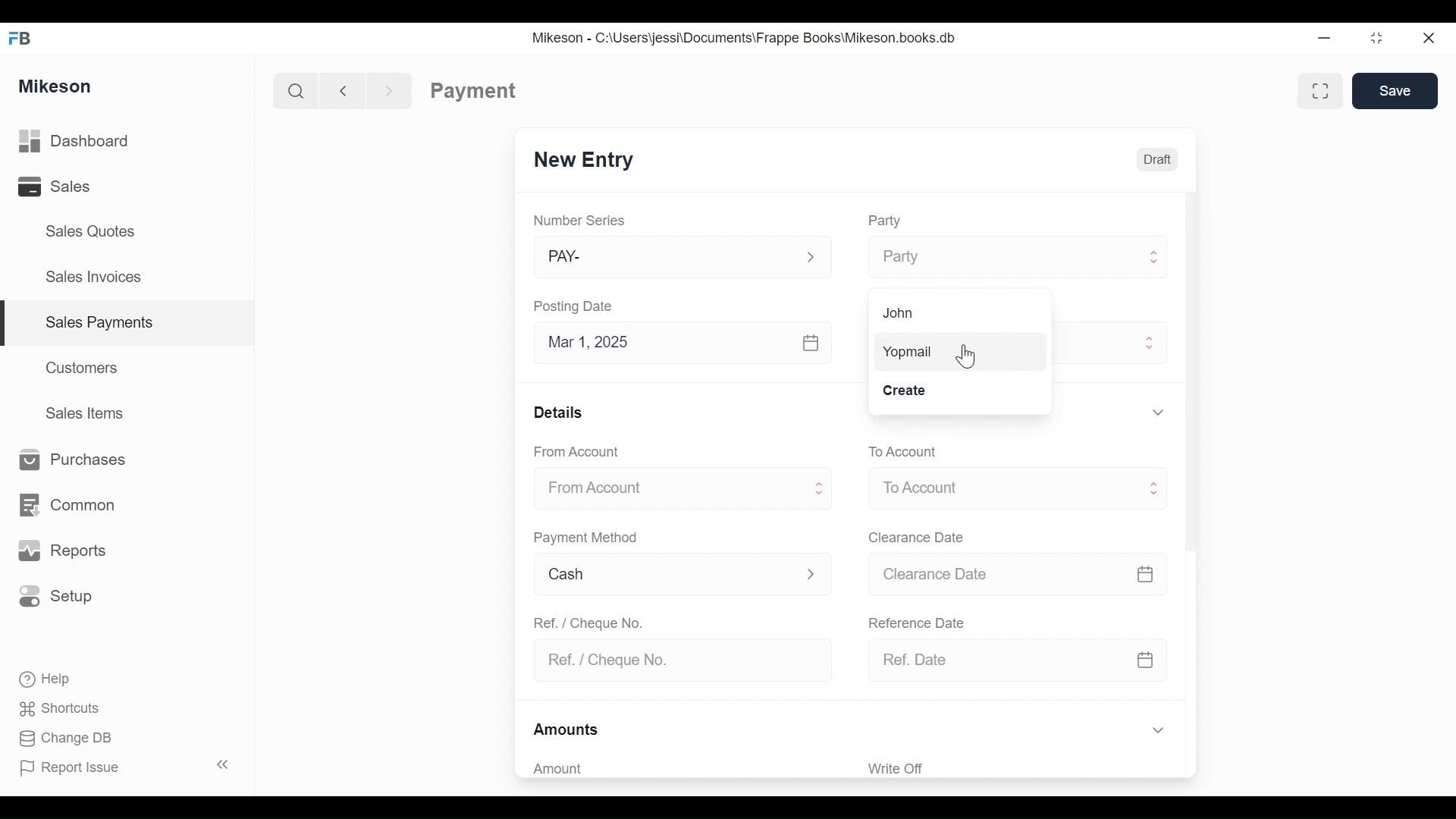 The image size is (1456, 819). I want to click on Create, so click(908, 389).